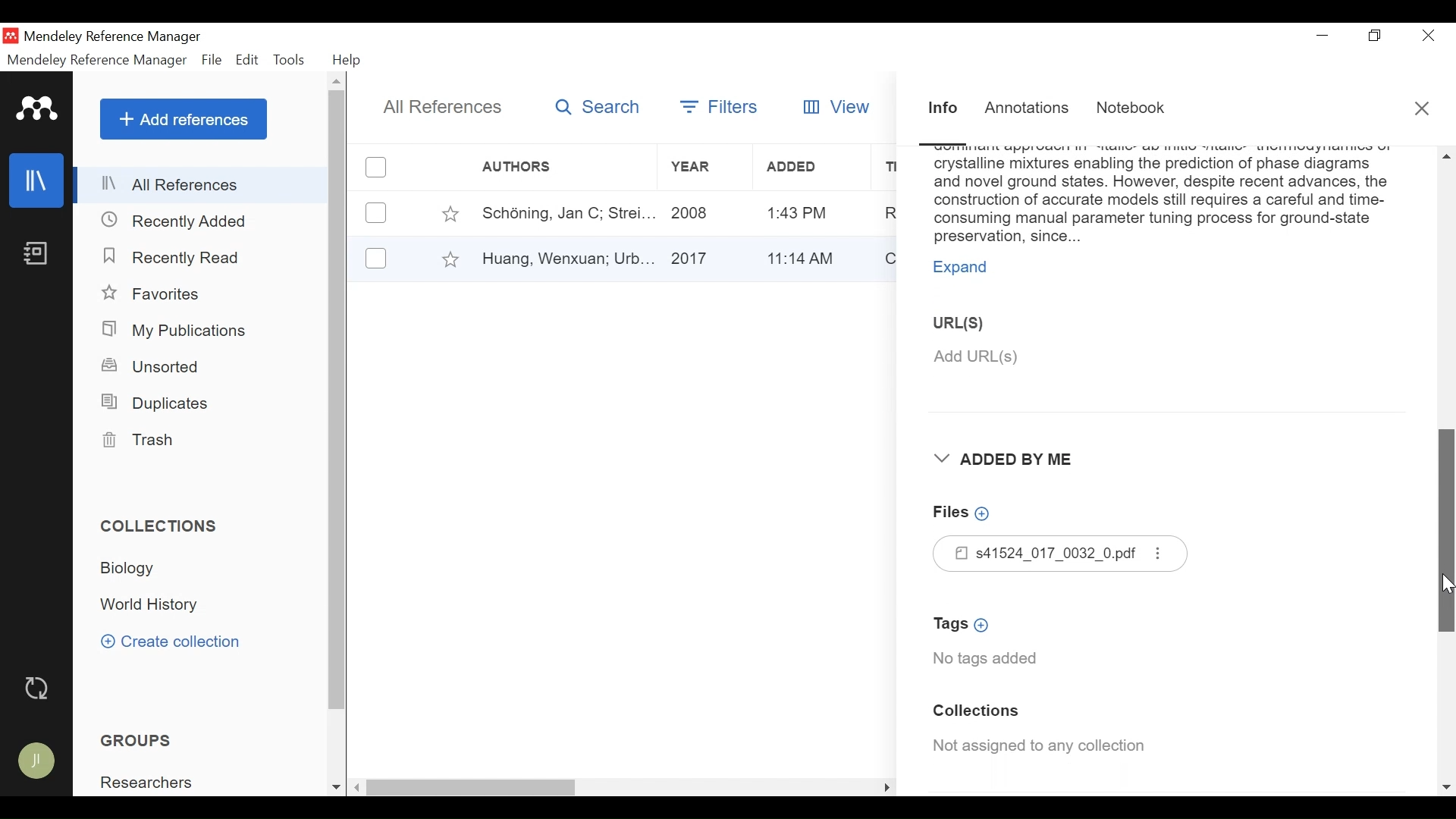  I want to click on Added By Me, so click(1013, 460).